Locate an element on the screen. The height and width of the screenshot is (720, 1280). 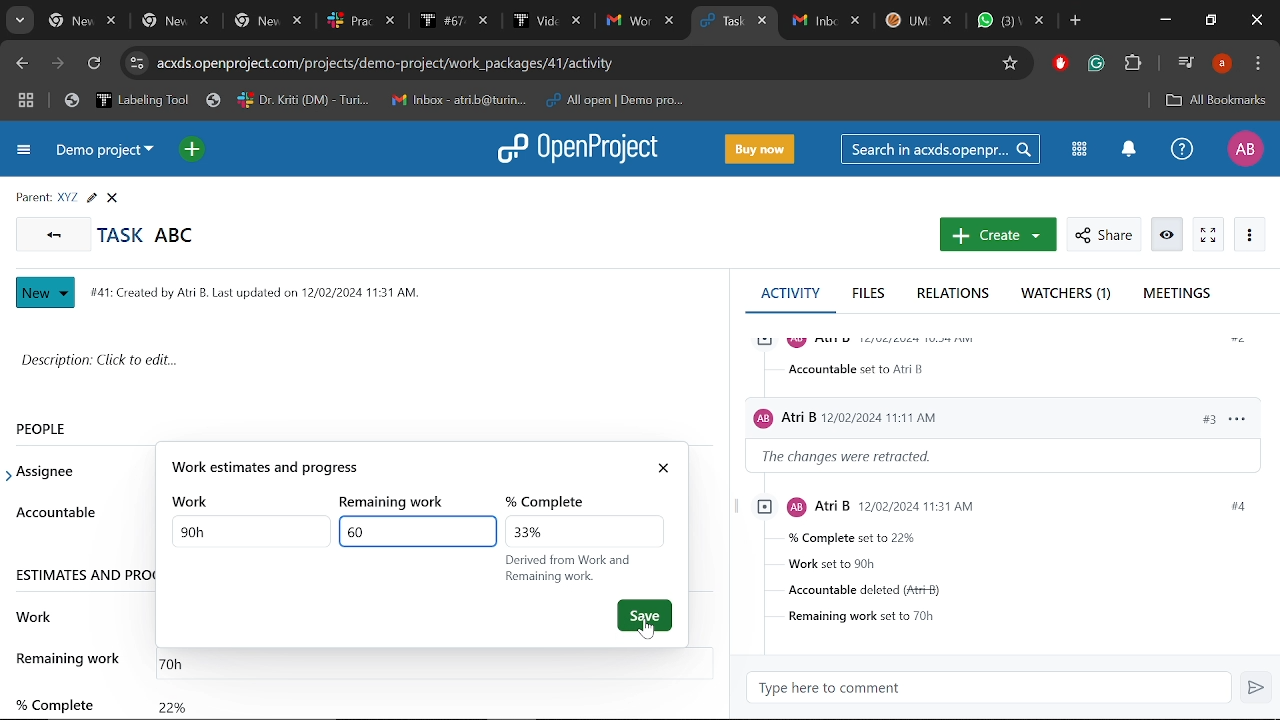
Add bookmark is located at coordinates (1215, 100).